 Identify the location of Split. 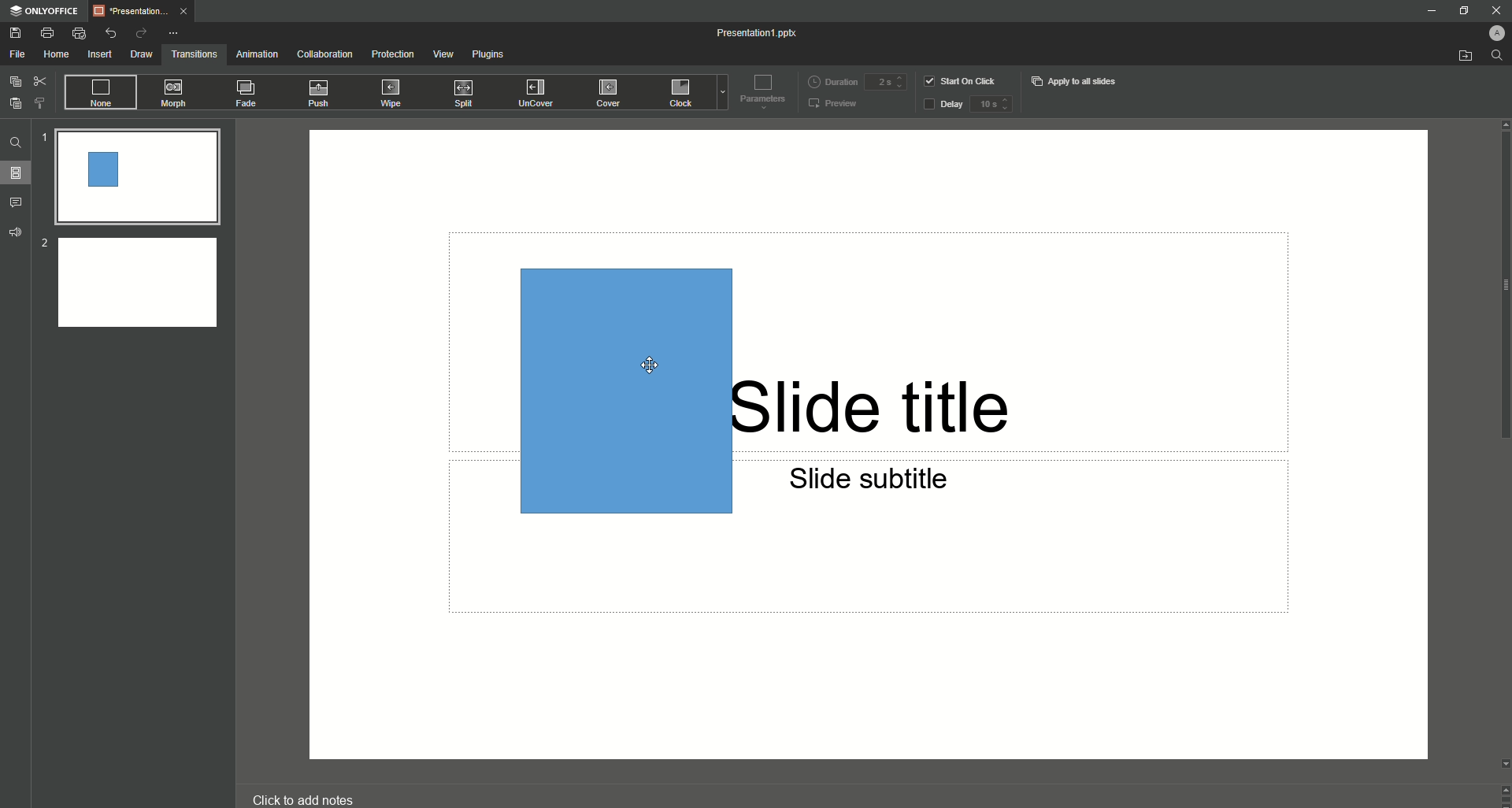
(468, 93).